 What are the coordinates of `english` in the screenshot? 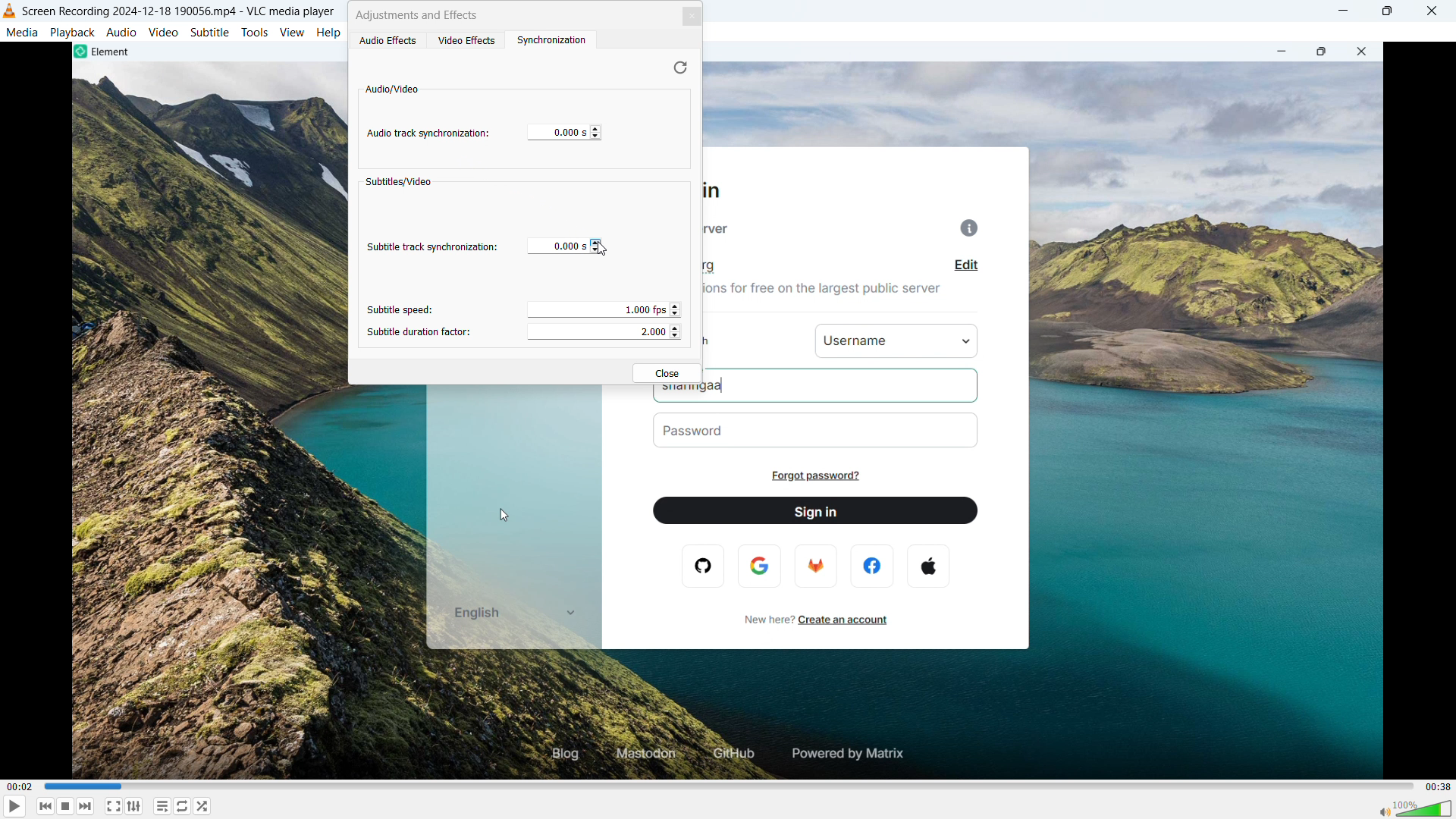 It's located at (507, 614).